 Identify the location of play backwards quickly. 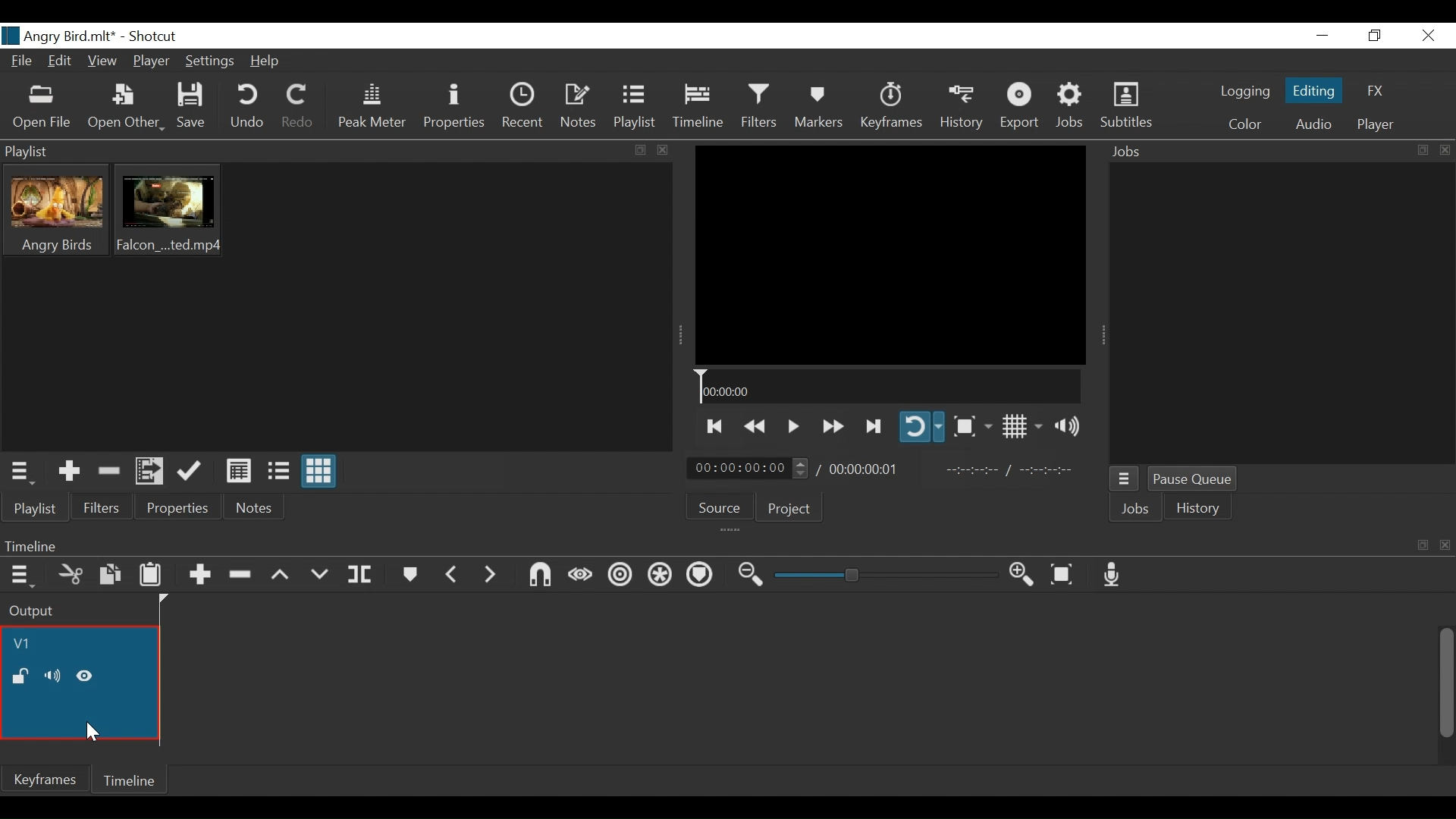
(756, 425).